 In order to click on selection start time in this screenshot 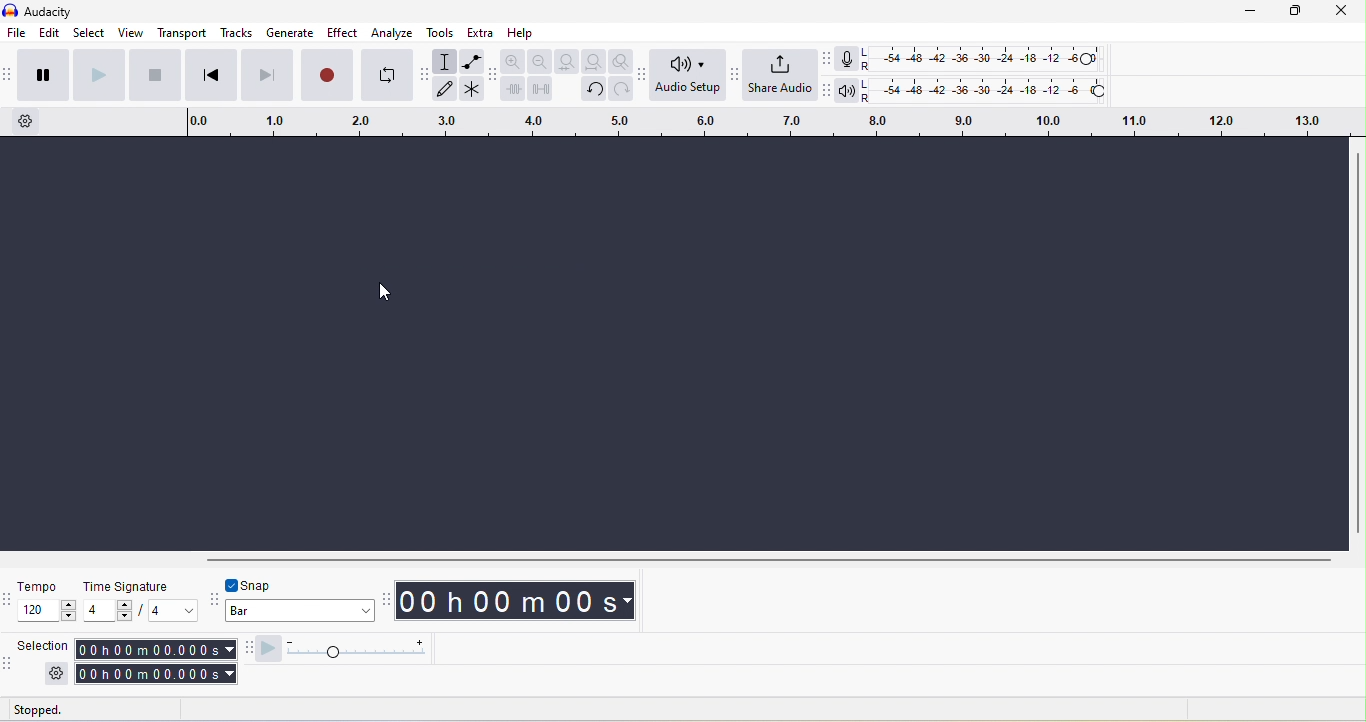, I will do `click(155, 650)`.